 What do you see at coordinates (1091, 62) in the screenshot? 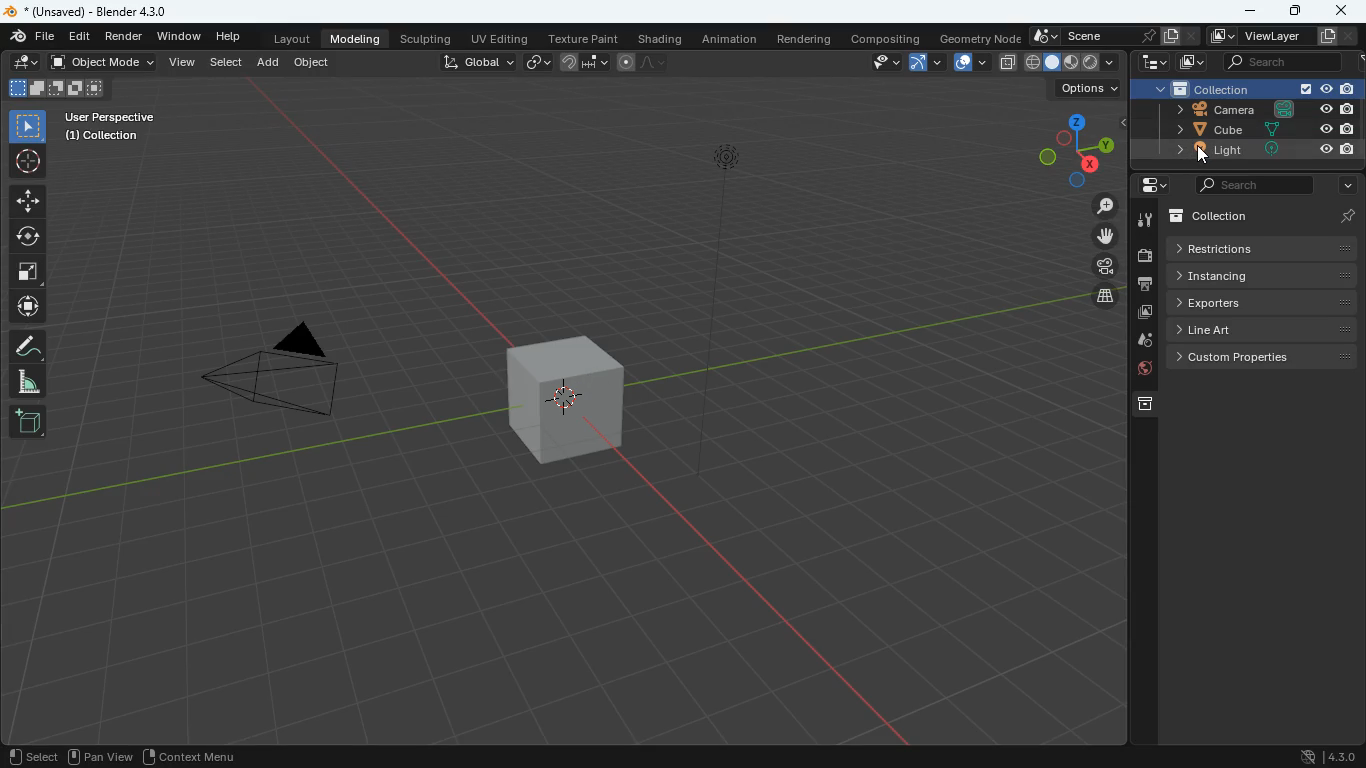
I see `empty` at bounding box center [1091, 62].